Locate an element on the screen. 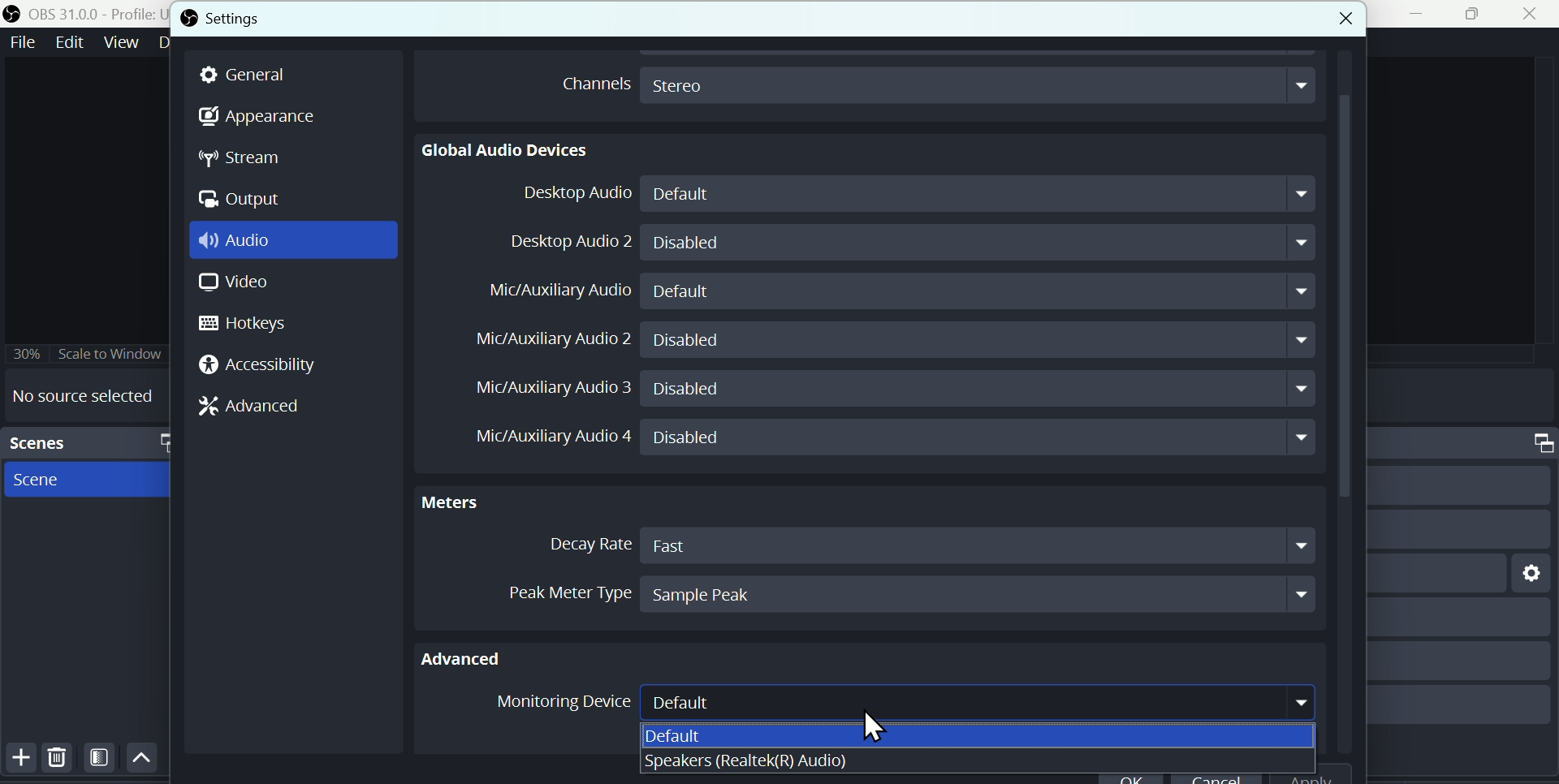  Delete is located at coordinates (57, 760).